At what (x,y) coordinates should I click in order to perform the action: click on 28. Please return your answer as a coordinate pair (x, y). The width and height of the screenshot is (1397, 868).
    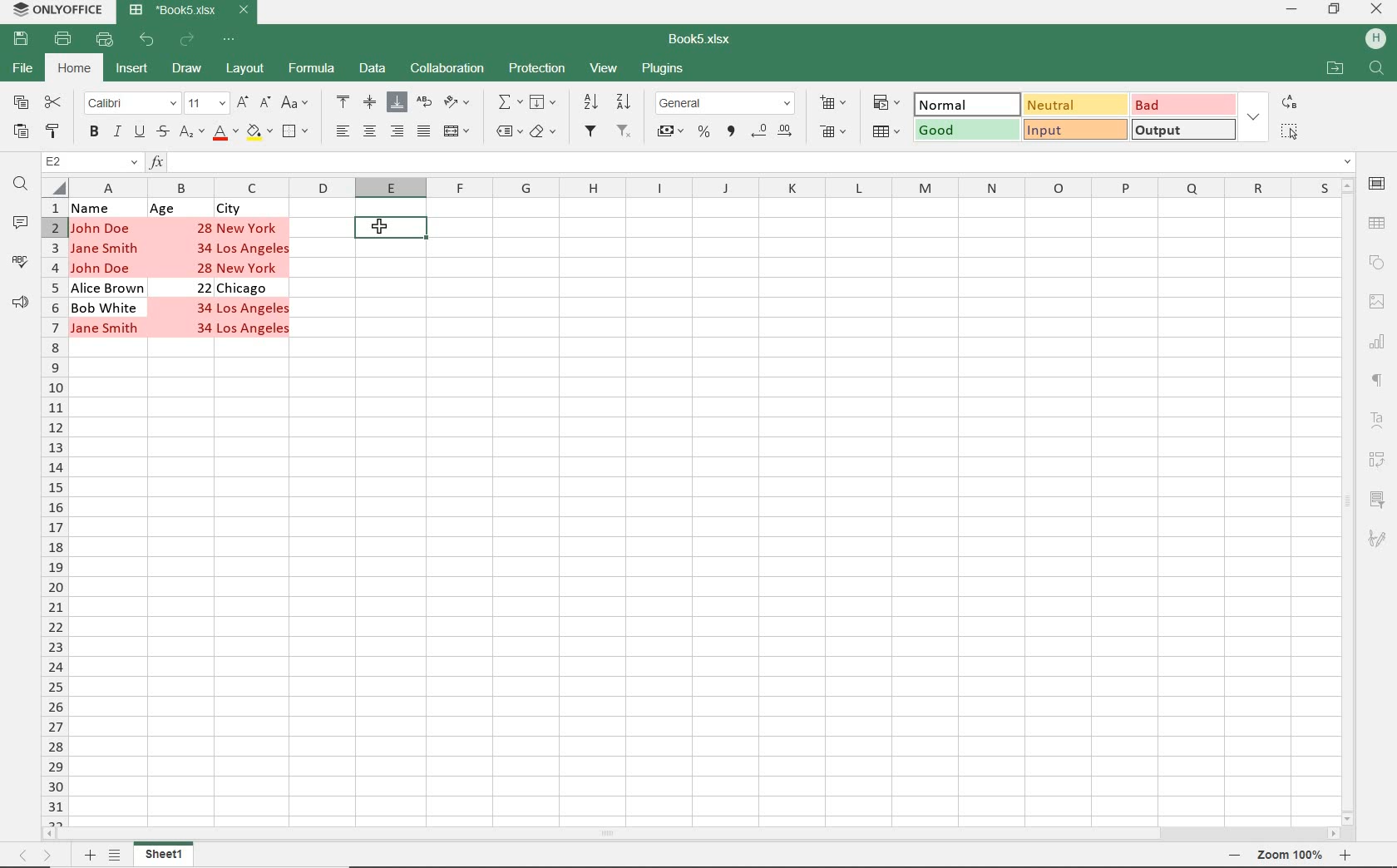
    Looking at the image, I should click on (205, 226).